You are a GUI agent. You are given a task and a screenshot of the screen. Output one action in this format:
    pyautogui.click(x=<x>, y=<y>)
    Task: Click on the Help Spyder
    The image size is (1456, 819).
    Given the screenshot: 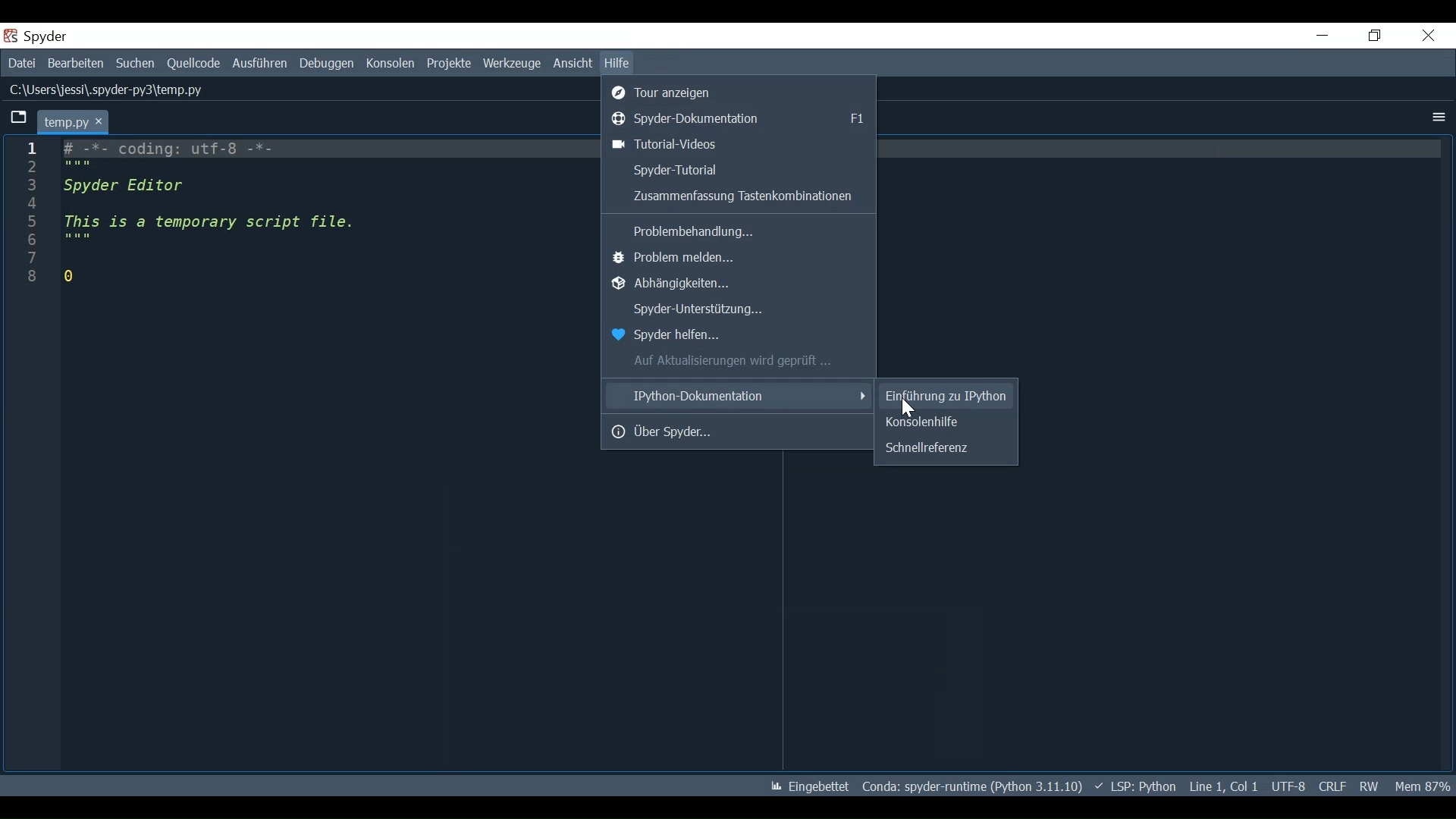 What is the action you would take?
    pyautogui.click(x=736, y=336)
    